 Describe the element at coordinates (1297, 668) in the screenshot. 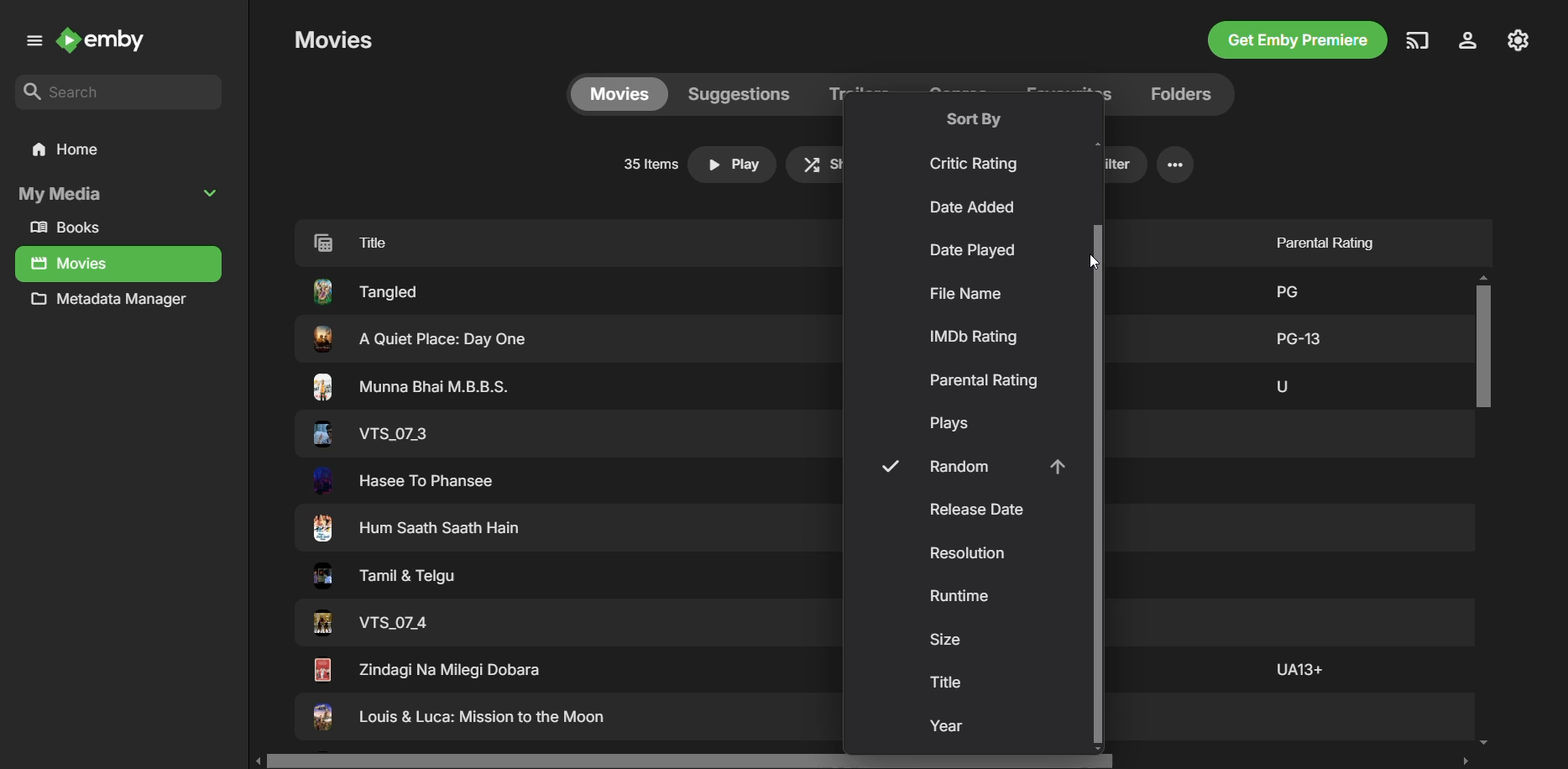

I see `` at that location.